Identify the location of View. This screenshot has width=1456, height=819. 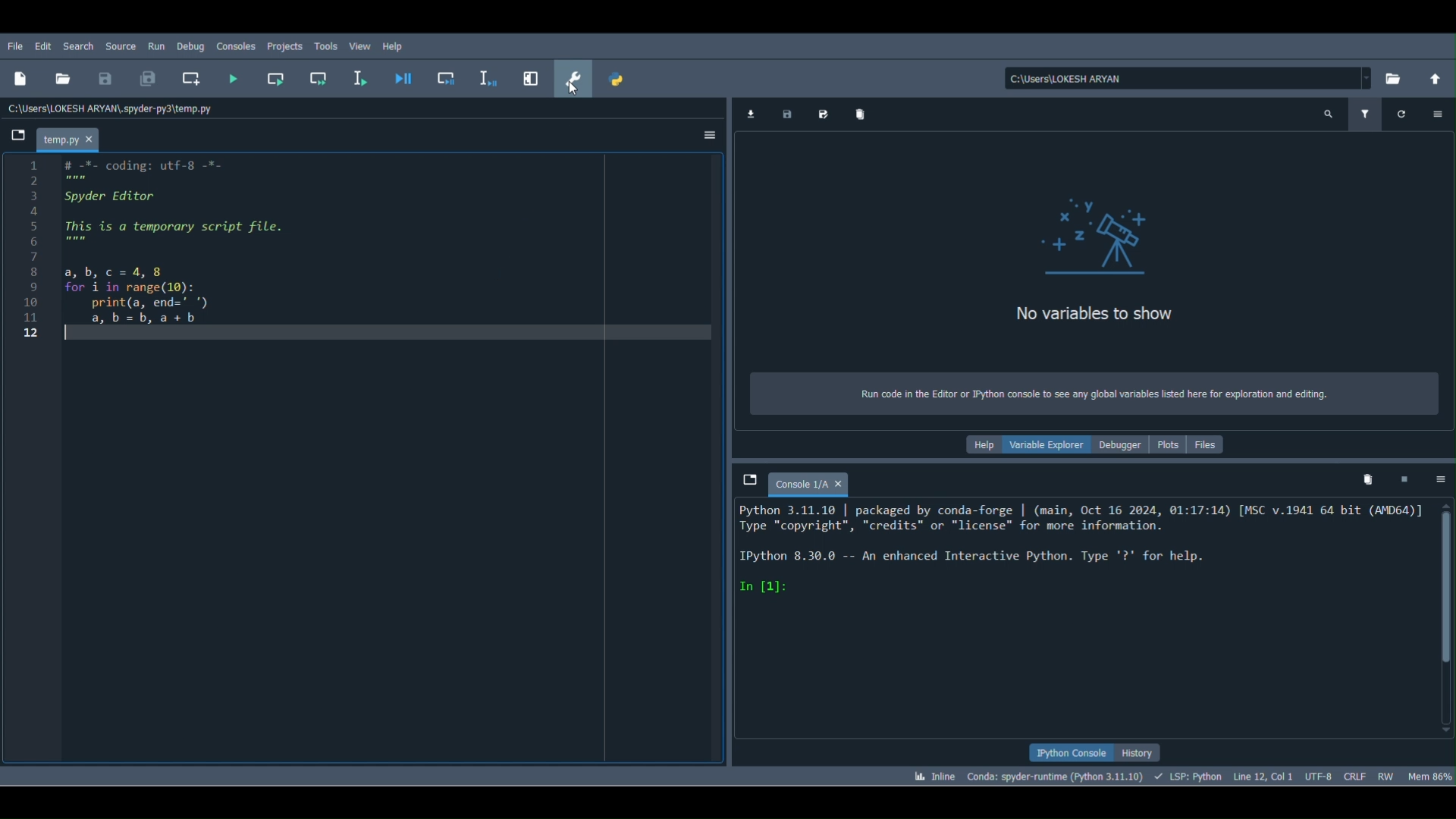
(359, 45).